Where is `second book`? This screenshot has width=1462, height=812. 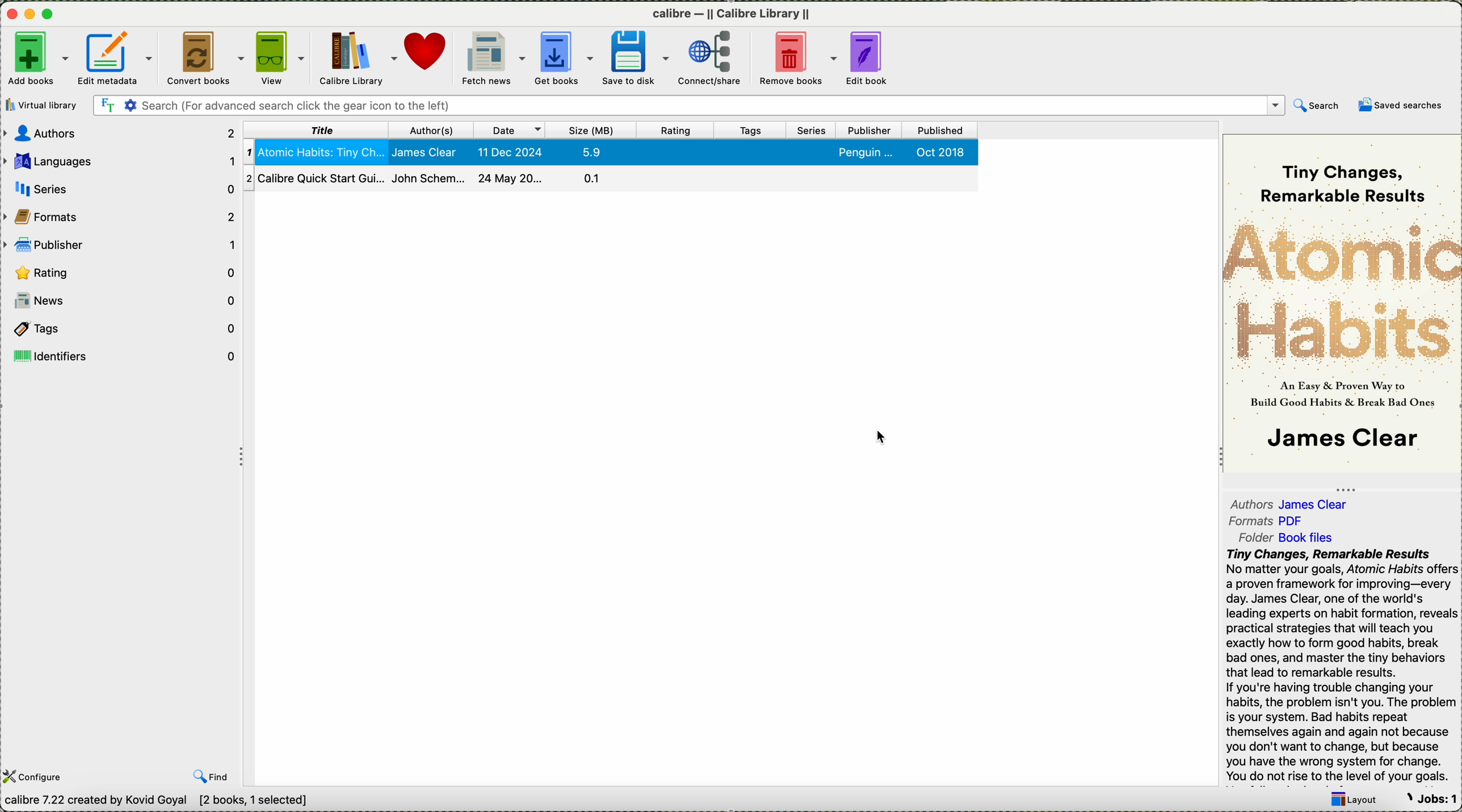
second book is located at coordinates (611, 181).